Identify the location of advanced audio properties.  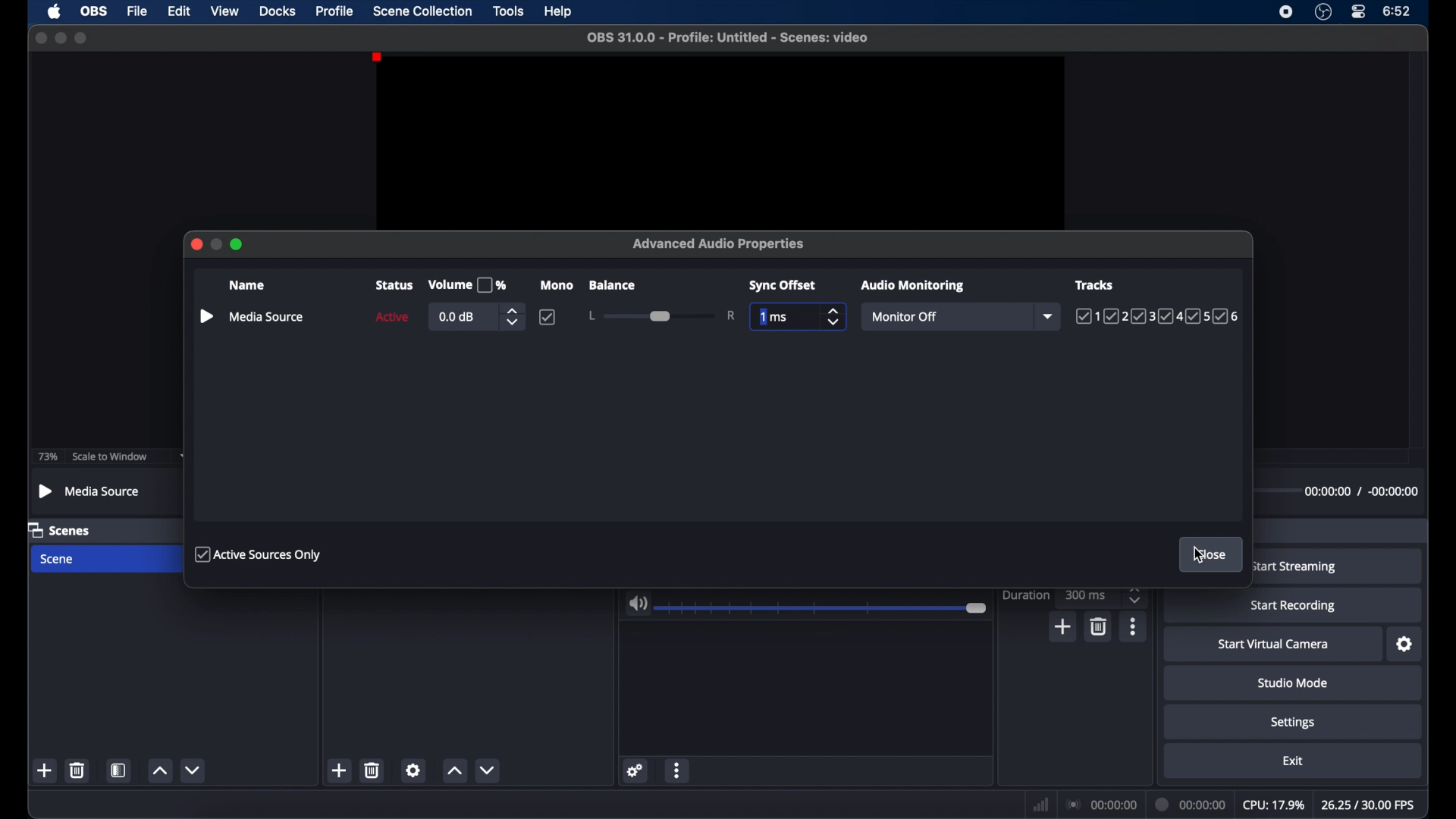
(720, 245).